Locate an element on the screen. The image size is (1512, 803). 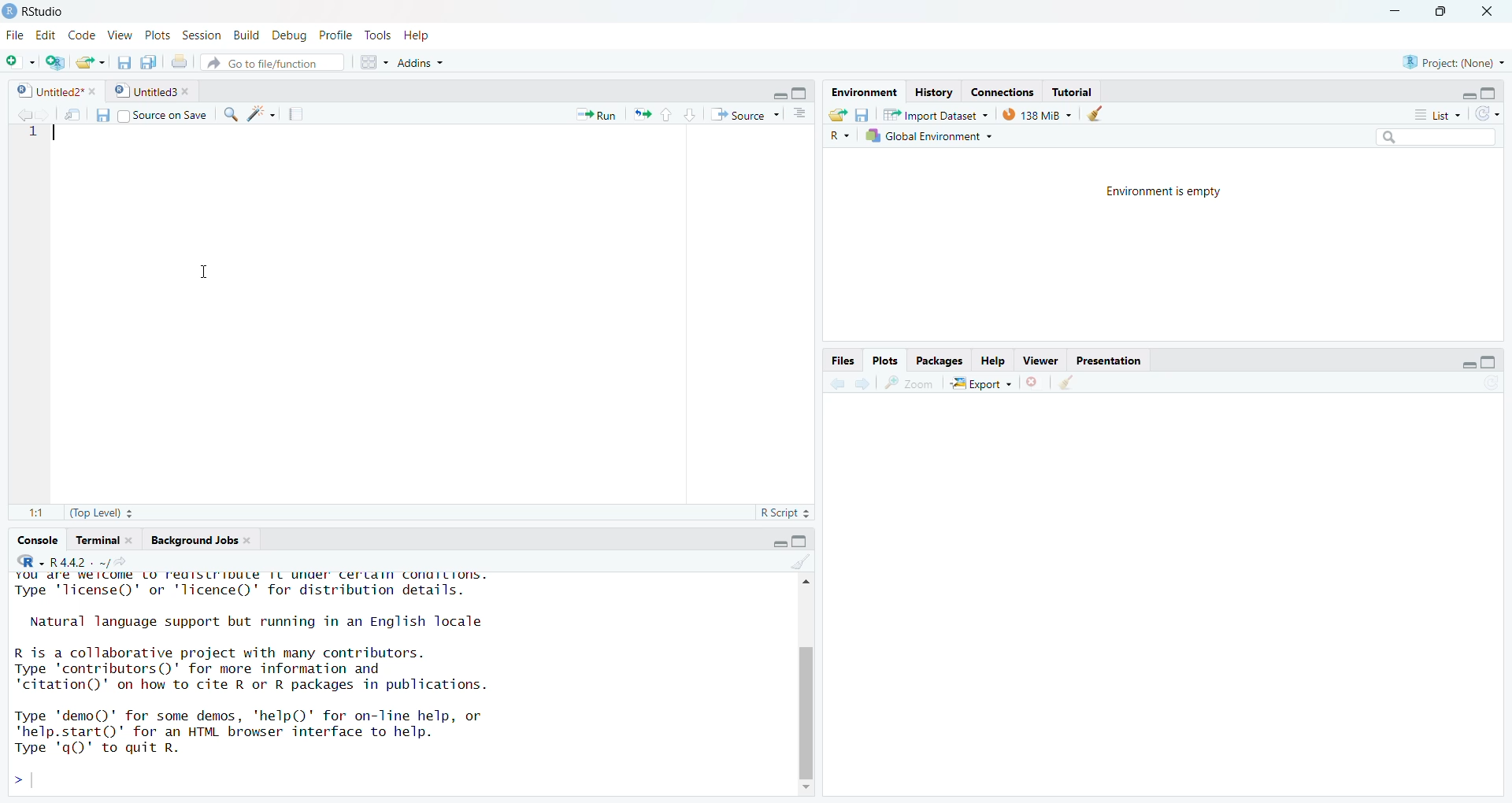
save documents is located at coordinates (149, 59).